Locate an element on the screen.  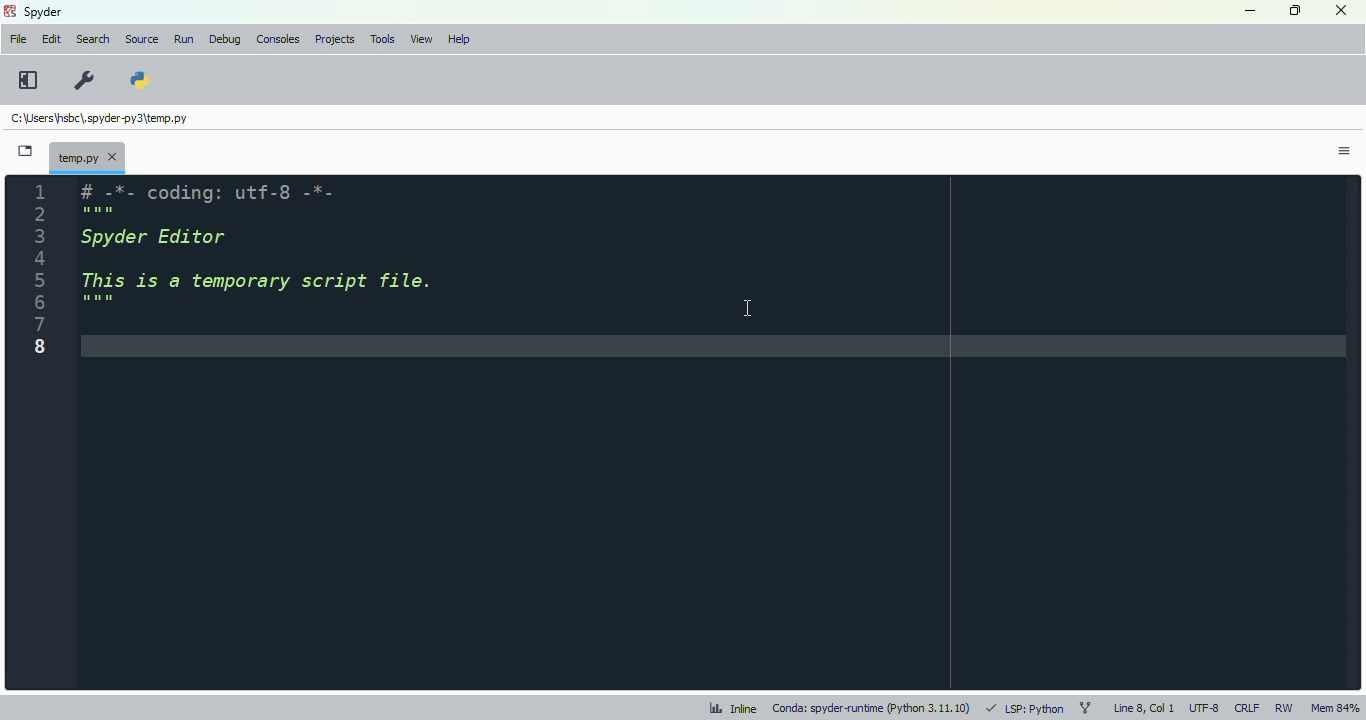
temporary file is located at coordinates (86, 157).